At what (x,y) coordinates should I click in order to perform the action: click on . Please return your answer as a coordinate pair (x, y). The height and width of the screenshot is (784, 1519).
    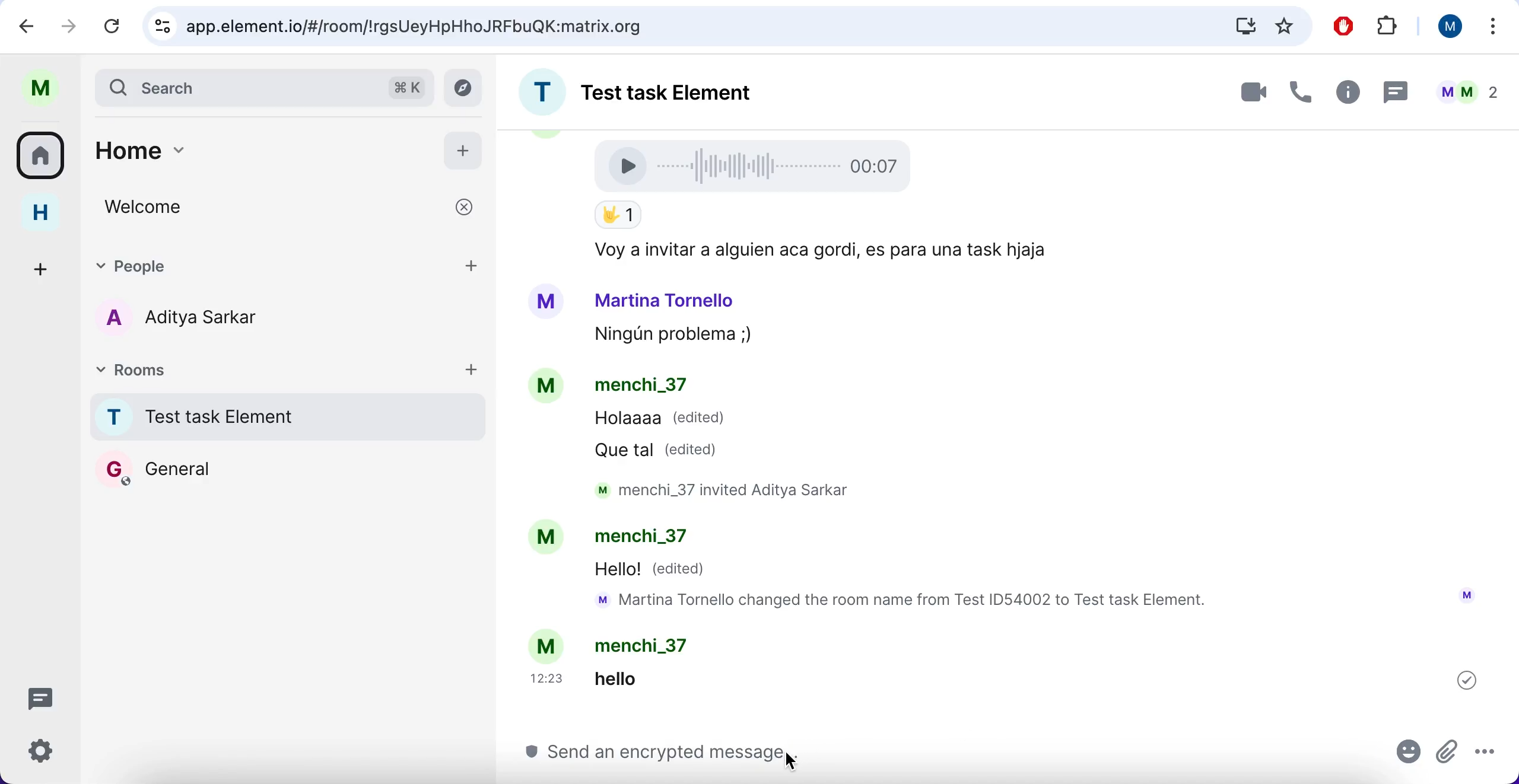
    Looking at the image, I should click on (1467, 680).